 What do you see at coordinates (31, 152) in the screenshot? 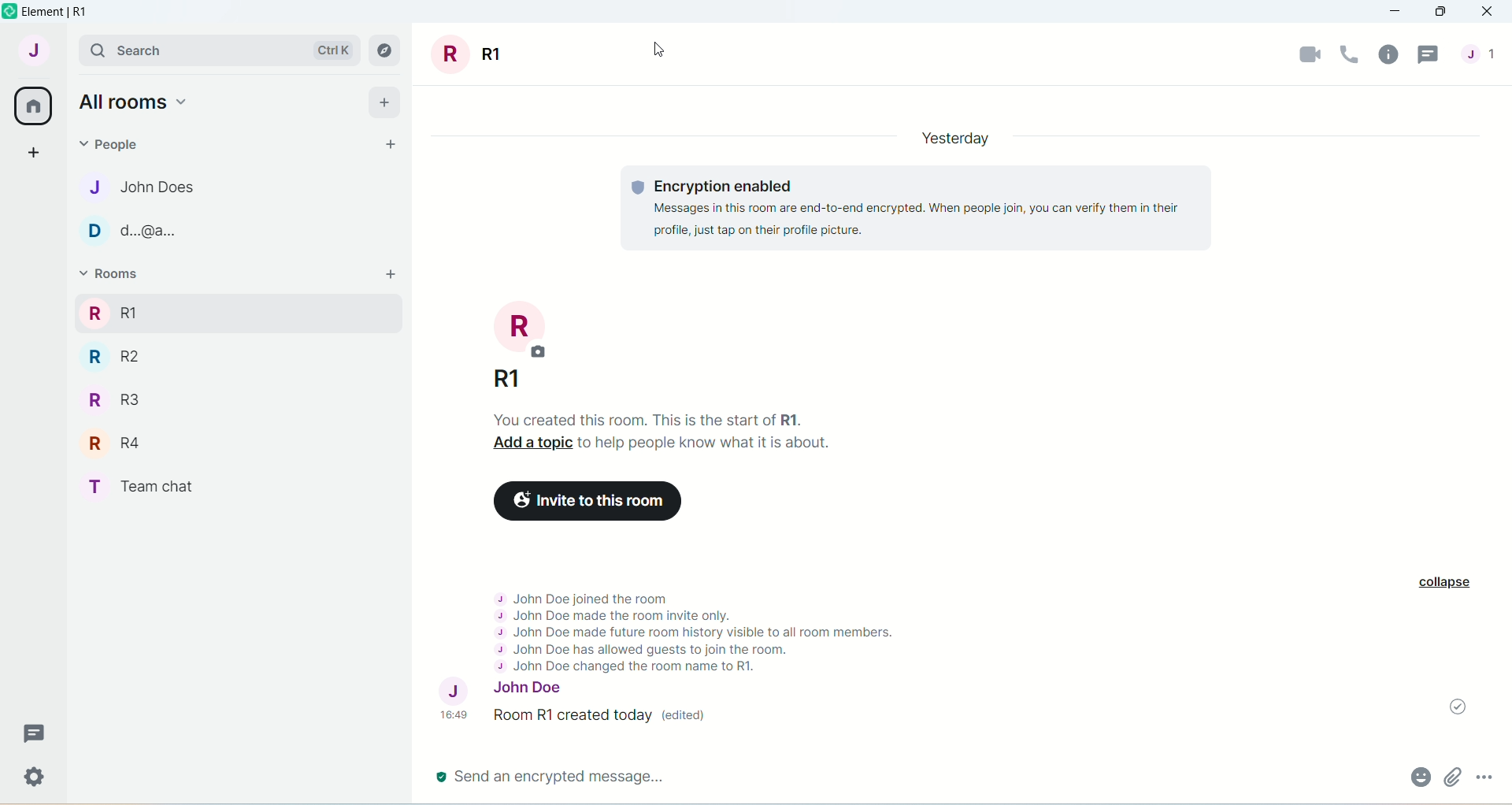
I see `create a space` at bounding box center [31, 152].